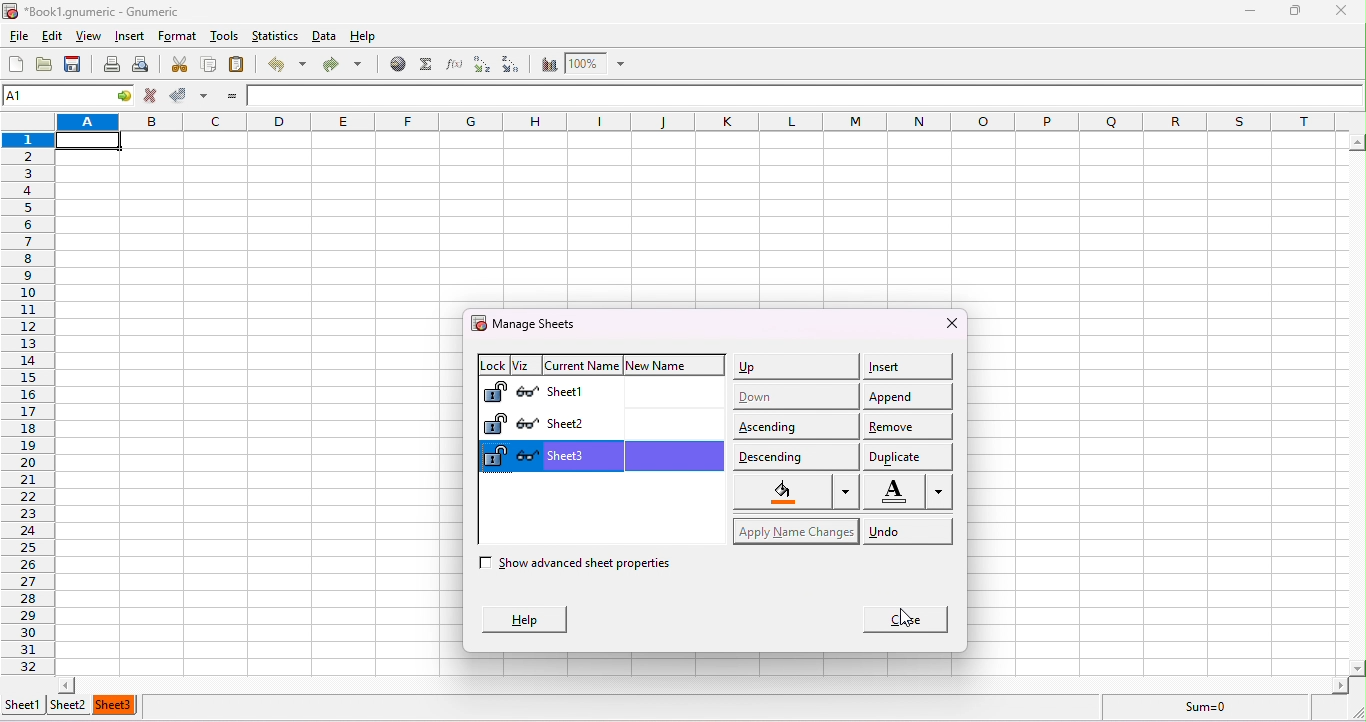 Image resolution: width=1366 pixels, height=722 pixels. I want to click on viz, so click(522, 362).